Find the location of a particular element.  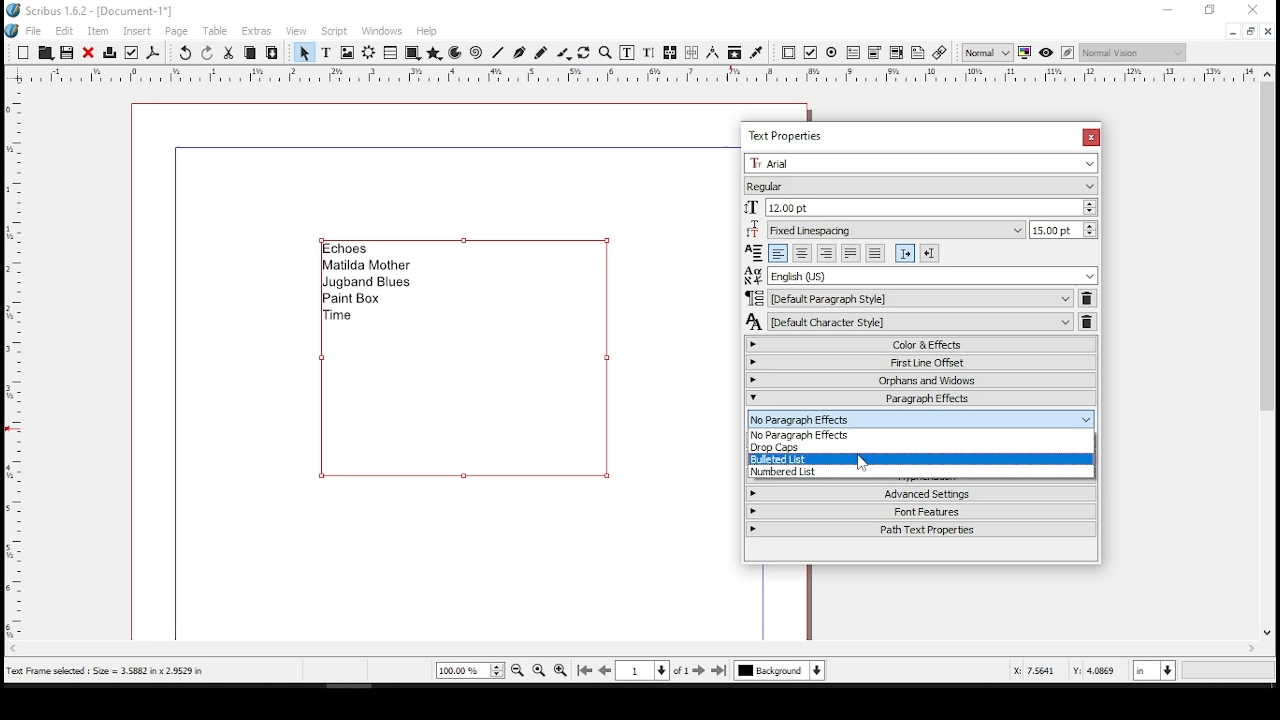

 is located at coordinates (755, 252).